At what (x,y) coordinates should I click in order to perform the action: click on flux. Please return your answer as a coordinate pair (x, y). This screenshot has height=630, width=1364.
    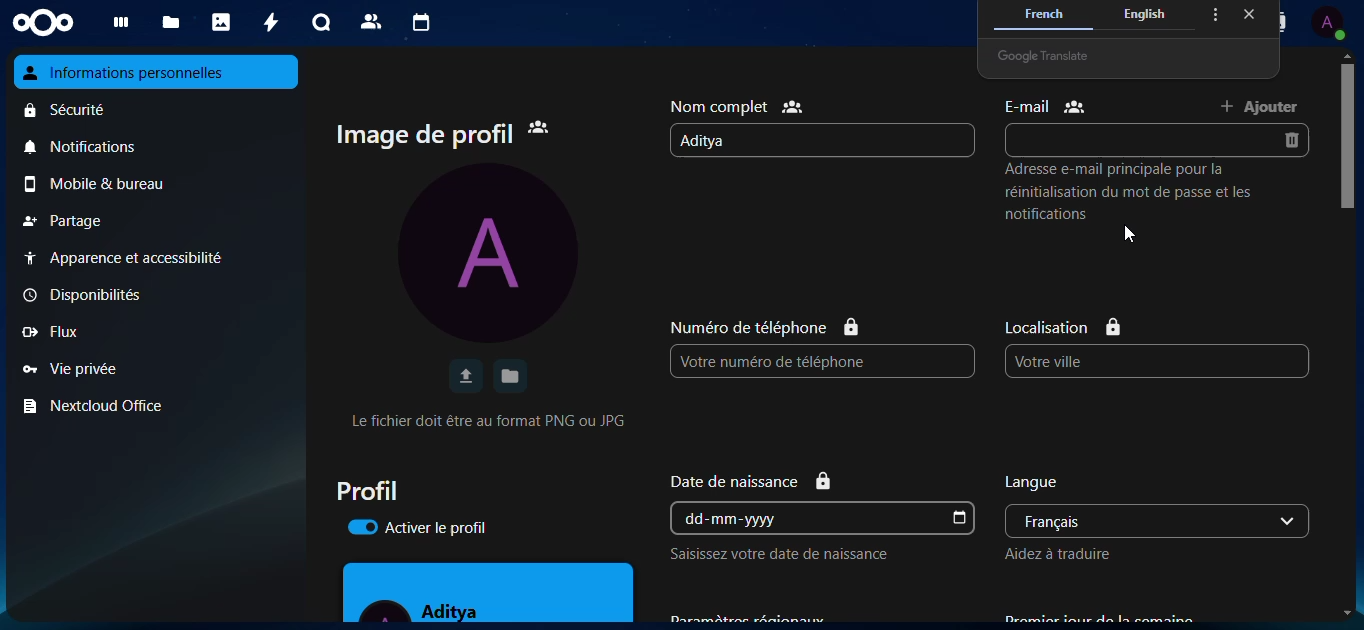
    Looking at the image, I should click on (62, 332).